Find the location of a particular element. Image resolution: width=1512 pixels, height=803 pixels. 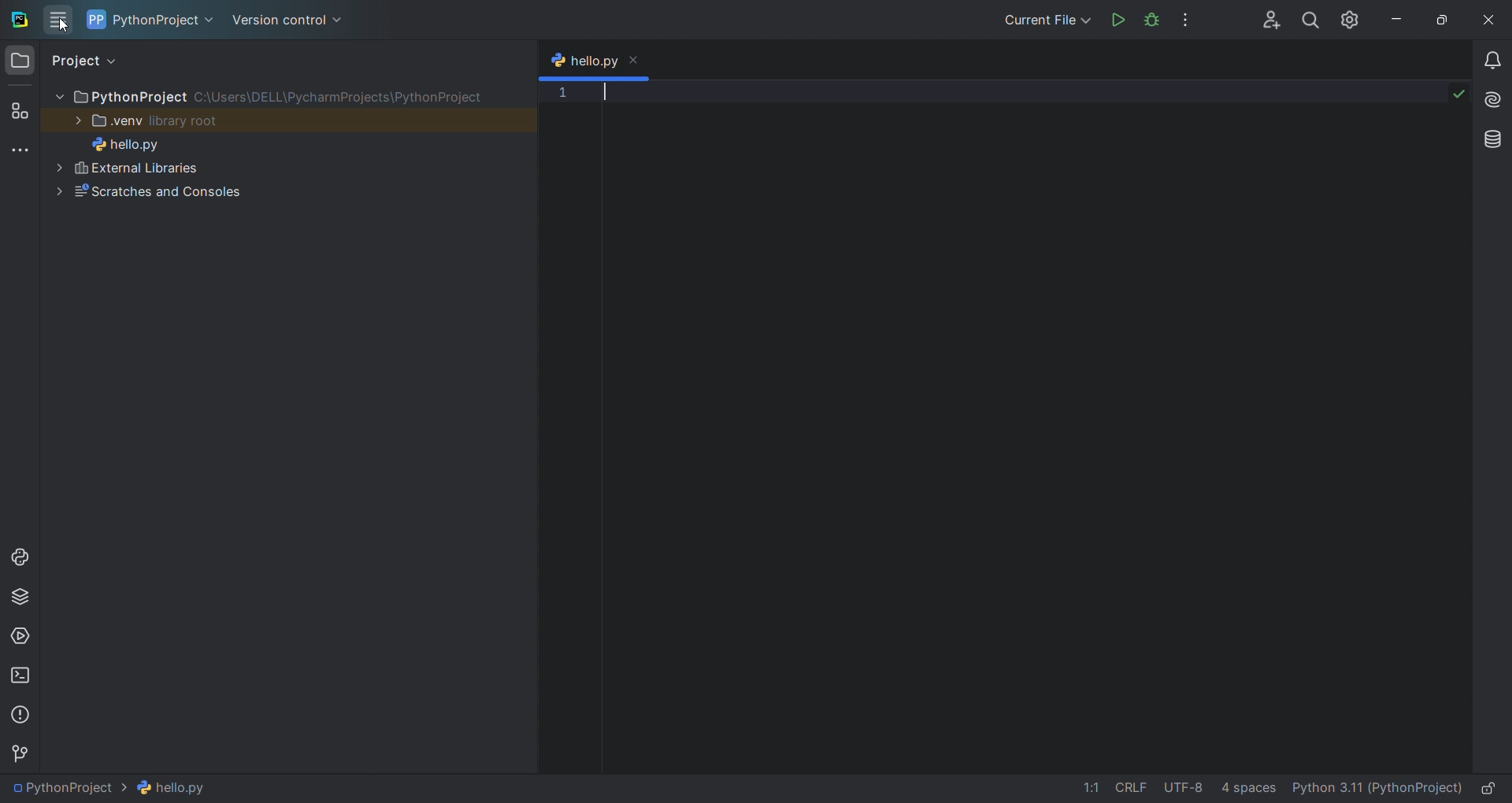

Scratches and Consoles is located at coordinates (198, 191).